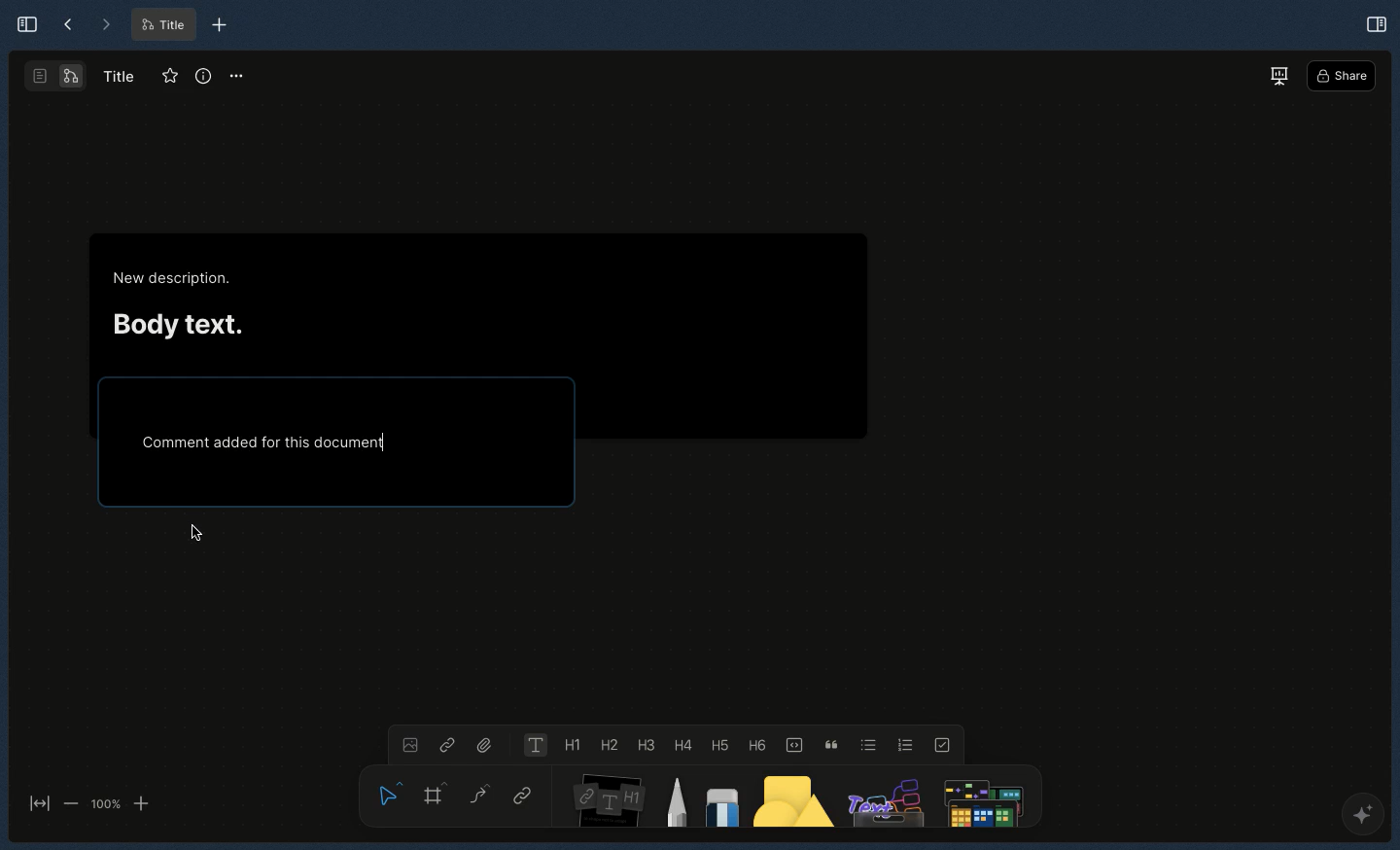 This screenshot has height=850, width=1400. What do you see at coordinates (161, 25) in the screenshot?
I see `Title` at bounding box center [161, 25].